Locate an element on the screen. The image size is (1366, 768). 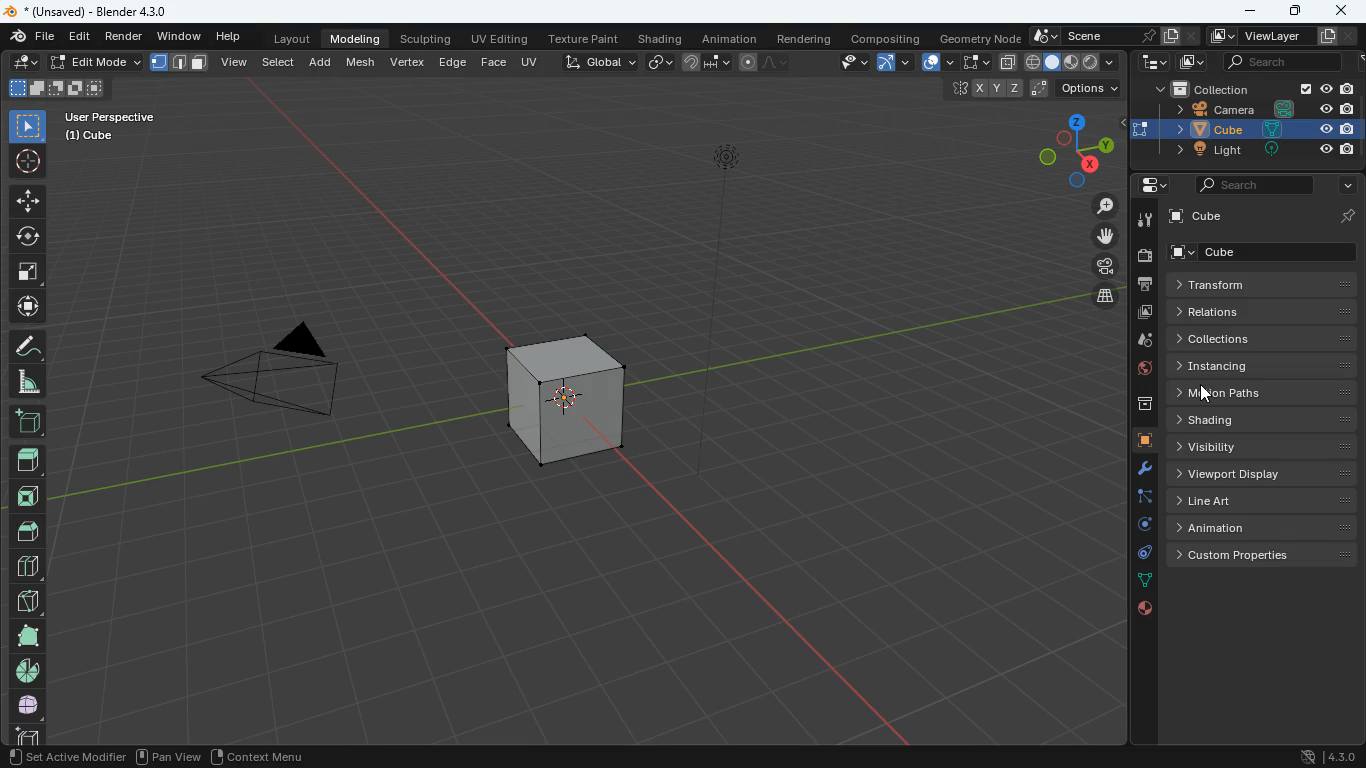
archieve is located at coordinates (1135, 408).